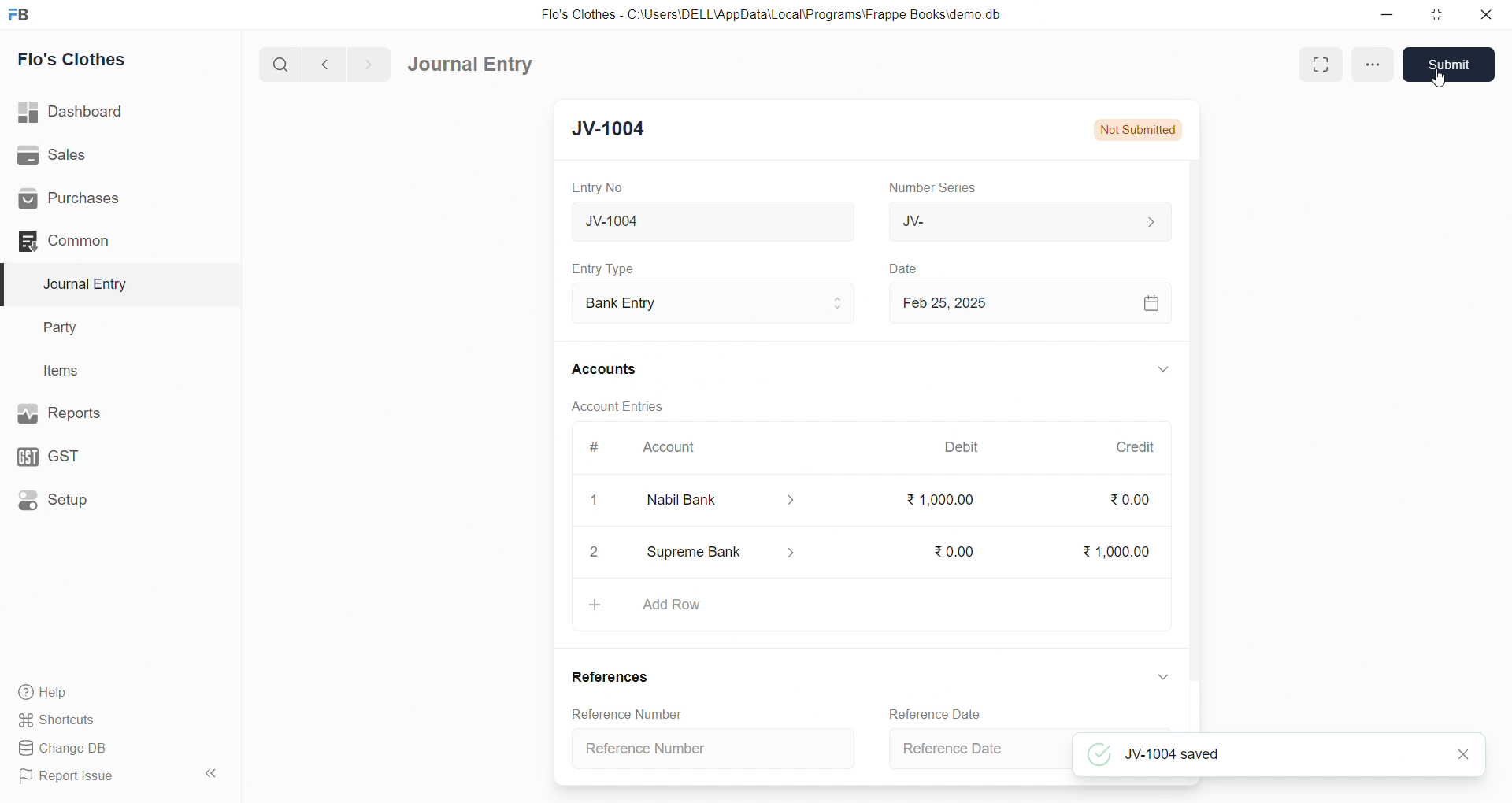 This screenshot has height=803, width=1512. I want to click on Entry No., so click(597, 187).